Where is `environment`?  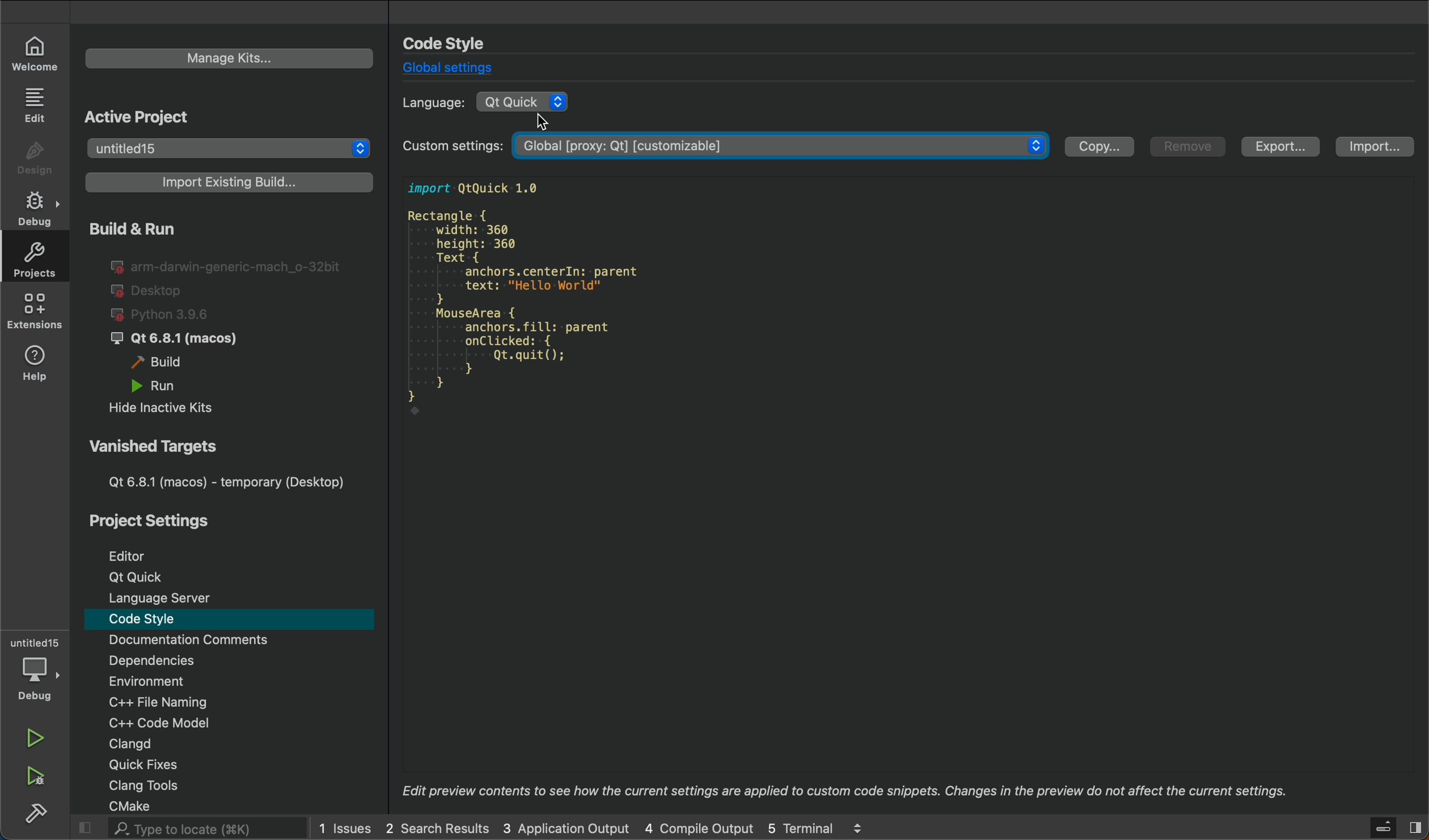
environment is located at coordinates (173, 680).